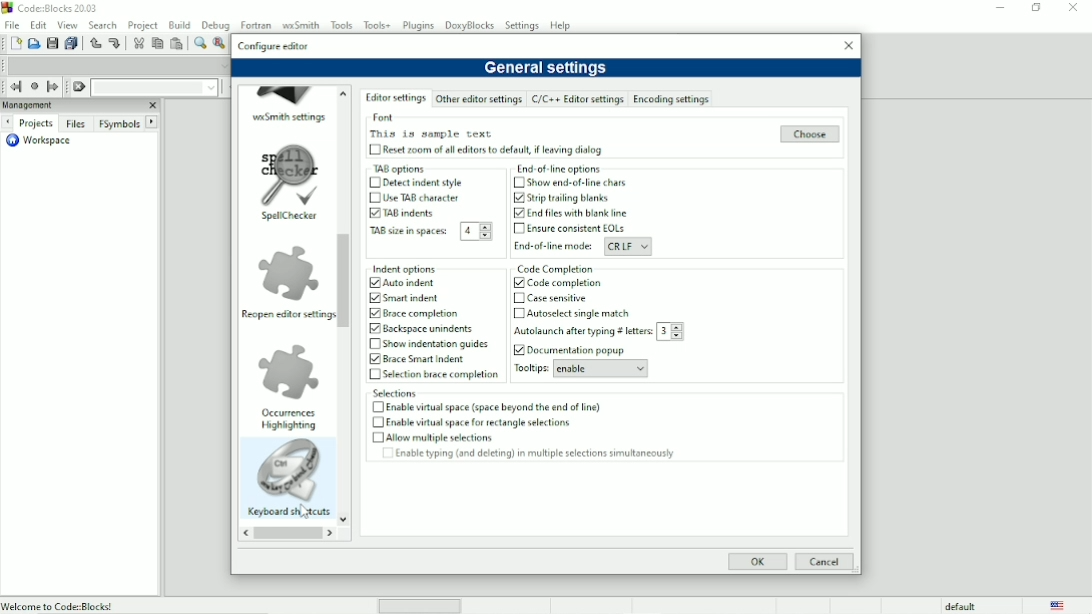 The width and height of the screenshot is (1092, 614). I want to click on Cut, so click(138, 44).